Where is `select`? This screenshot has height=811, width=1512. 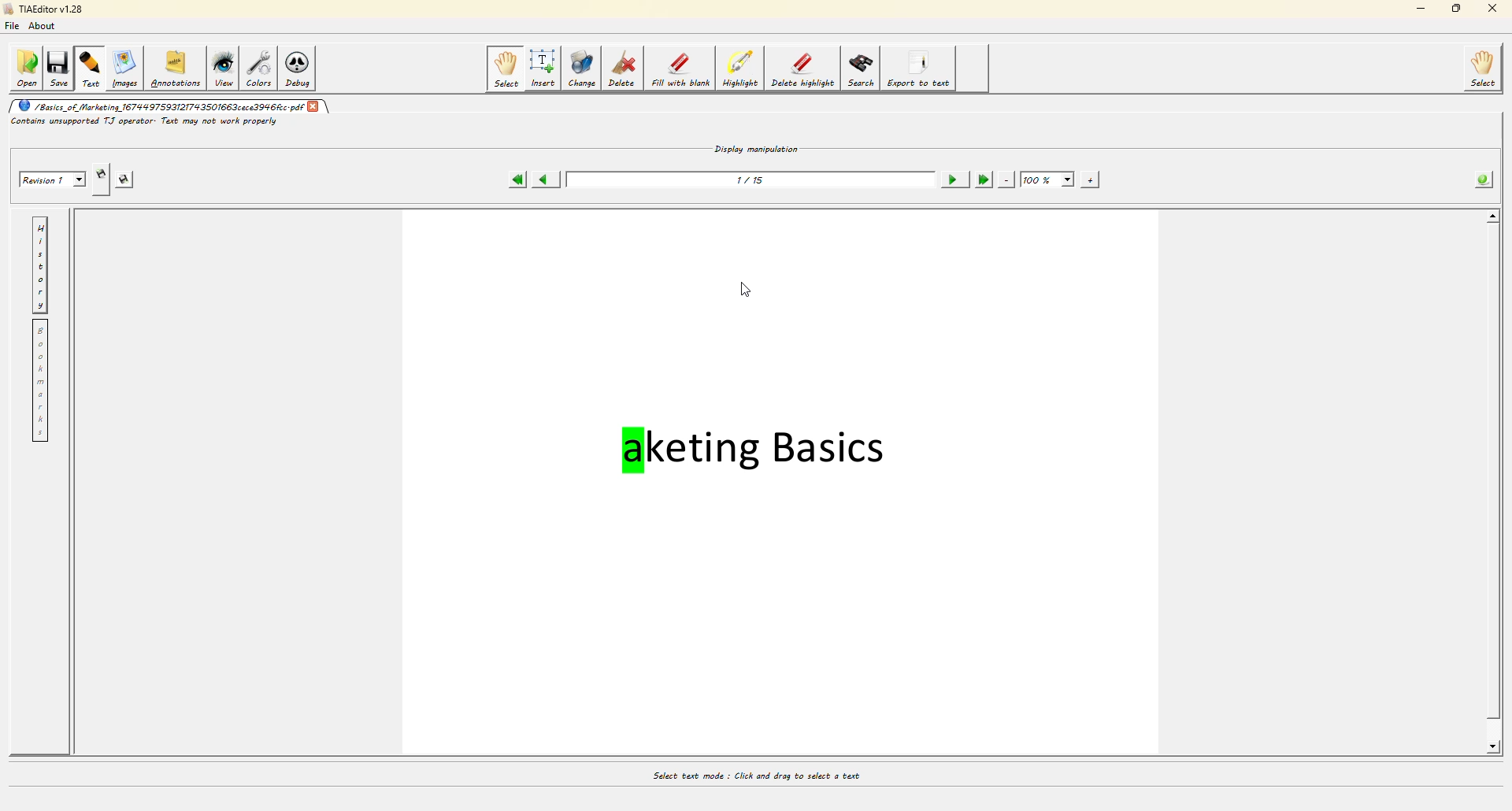
select is located at coordinates (1480, 70).